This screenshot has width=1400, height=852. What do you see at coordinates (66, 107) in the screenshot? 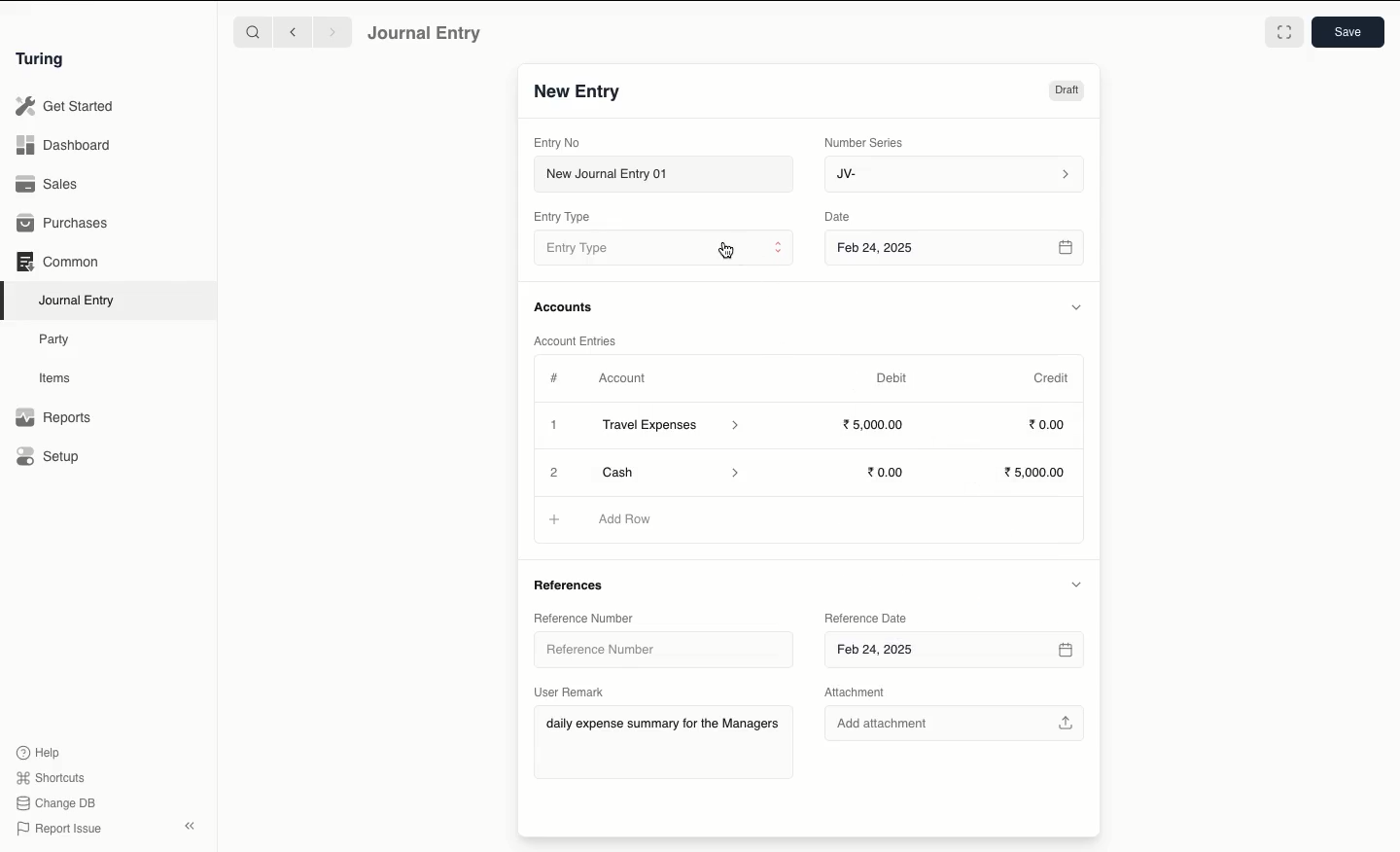
I see `Get Started` at bounding box center [66, 107].